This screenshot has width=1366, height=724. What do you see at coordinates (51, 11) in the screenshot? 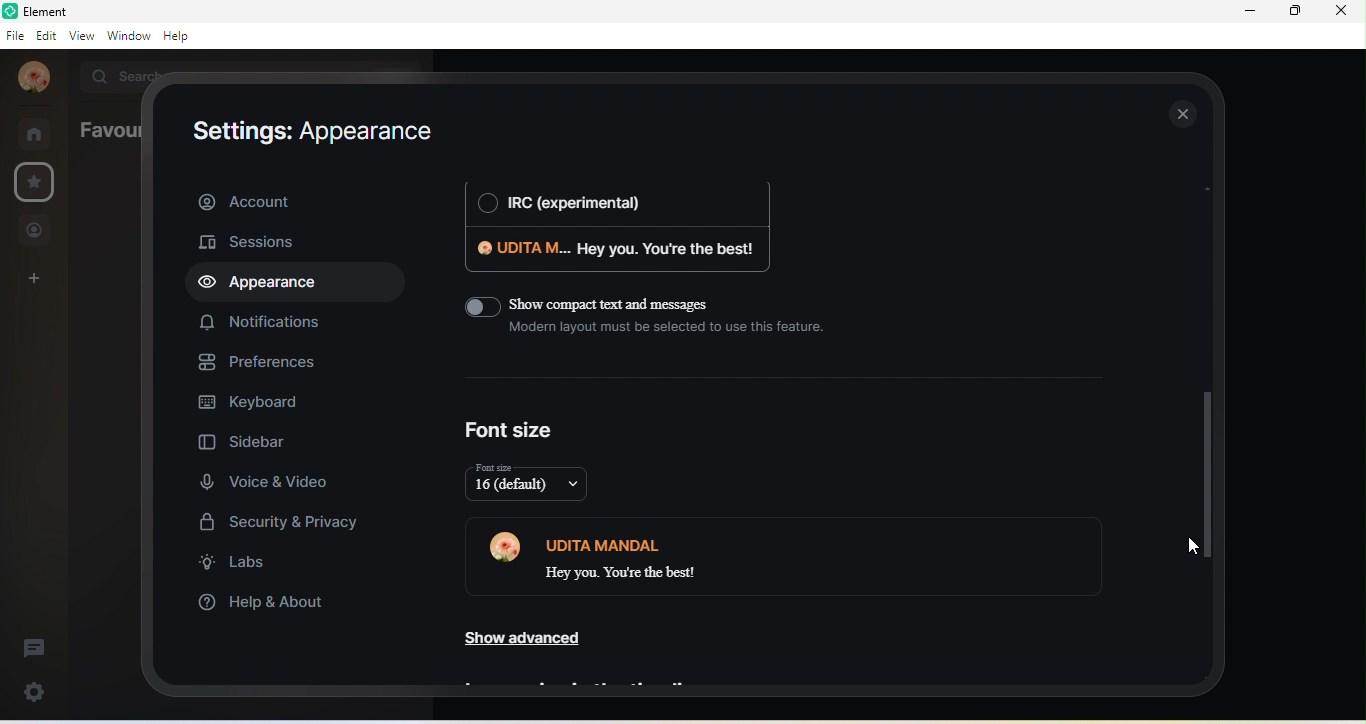
I see `title` at bounding box center [51, 11].